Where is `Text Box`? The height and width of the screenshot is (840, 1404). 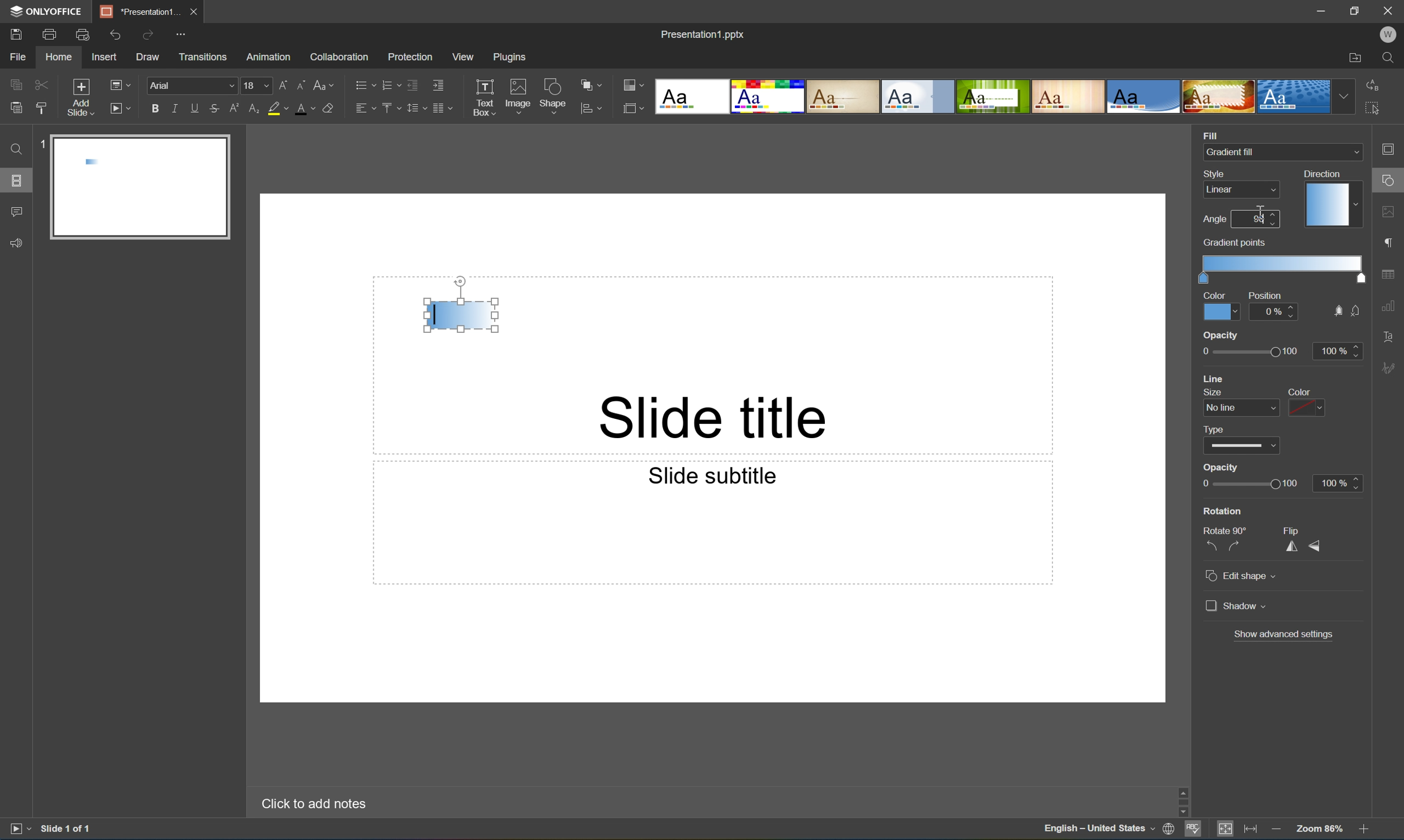
Text Box is located at coordinates (483, 97).